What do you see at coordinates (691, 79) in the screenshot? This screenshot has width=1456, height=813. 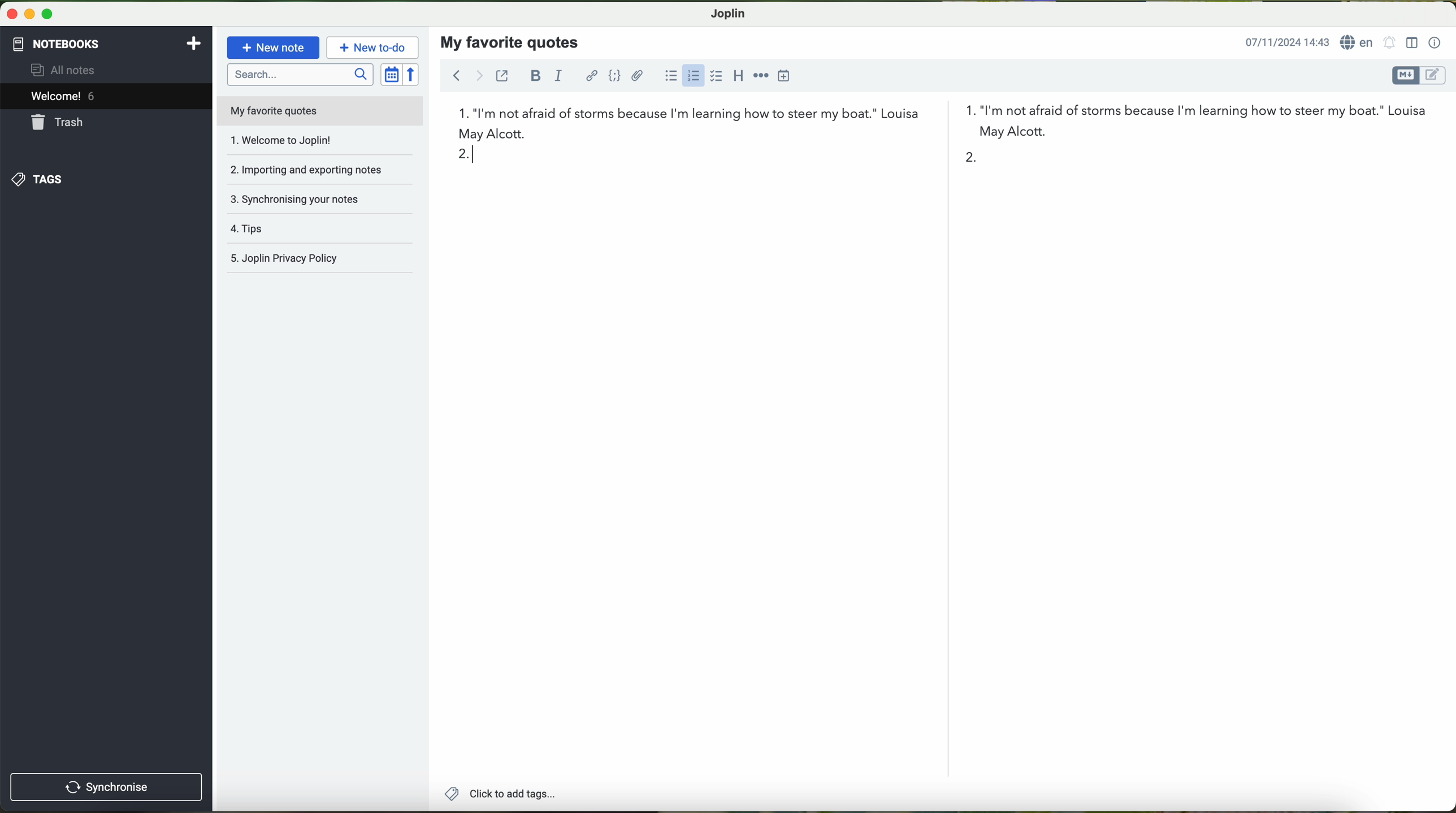 I see `click on numbered list option` at bounding box center [691, 79].